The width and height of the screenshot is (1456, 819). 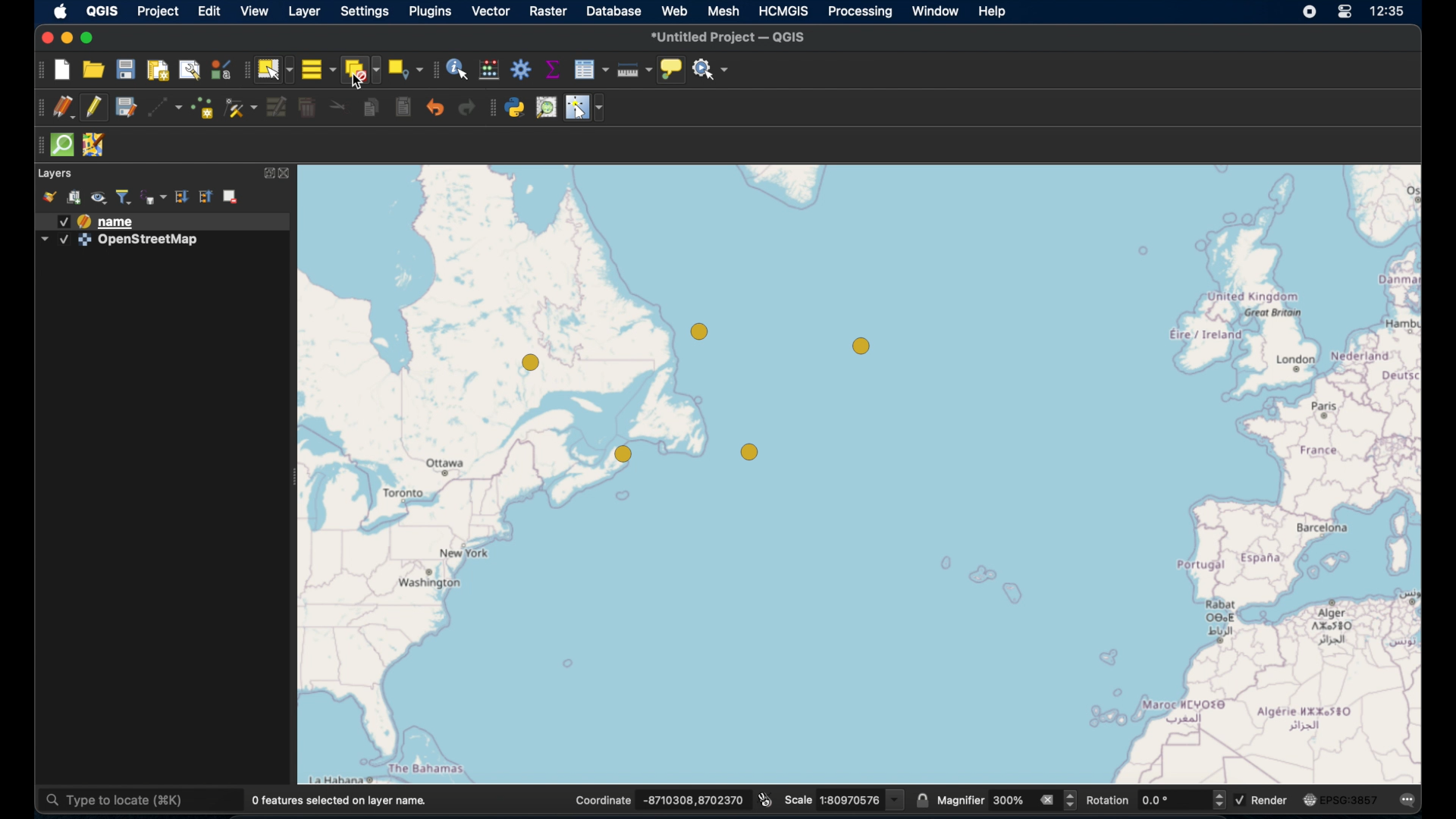 What do you see at coordinates (205, 197) in the screenshot?
I see `expand all` at bounding box center [205, 197].